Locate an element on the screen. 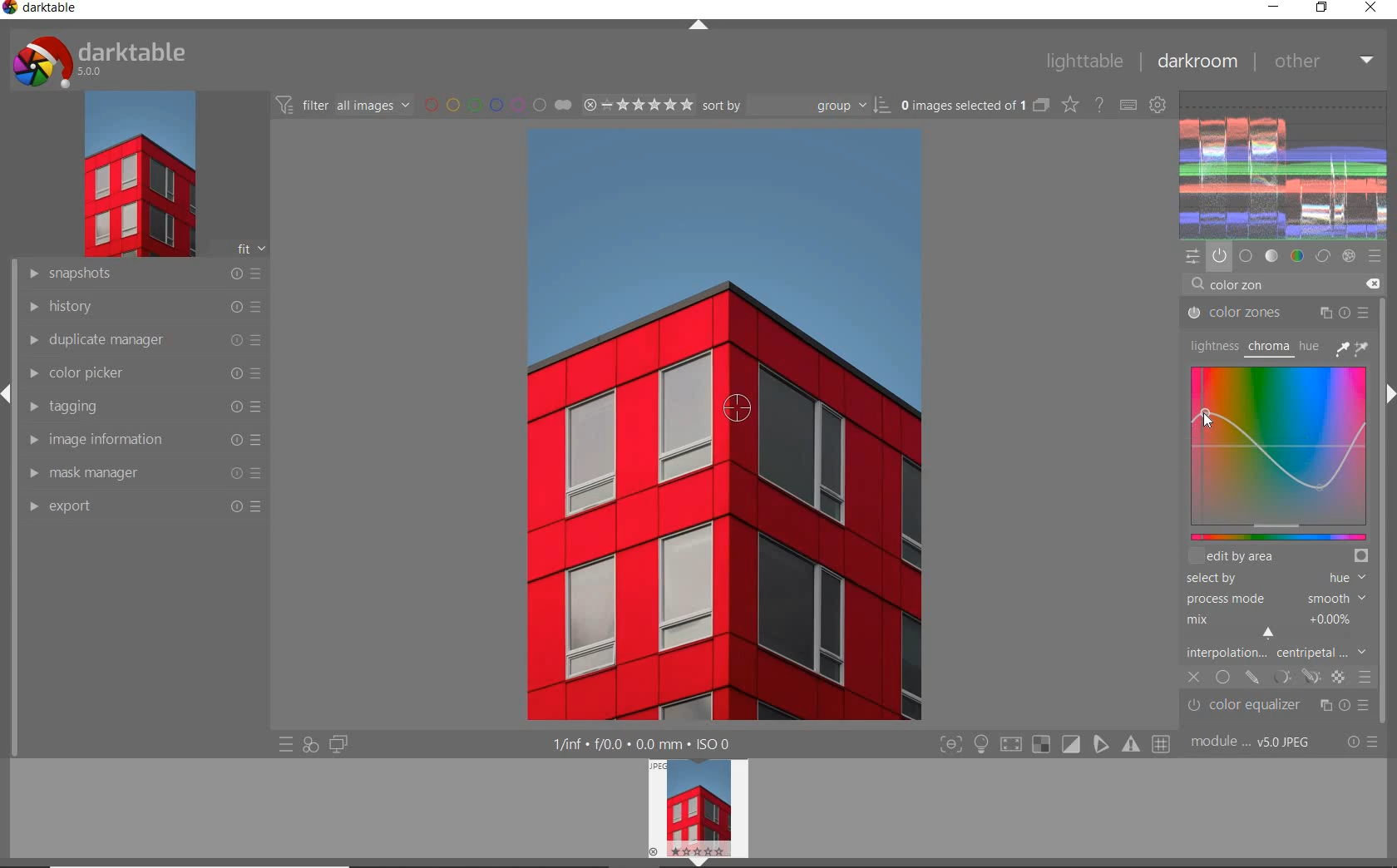  grid overlay is located at coordinates (1162, 742).